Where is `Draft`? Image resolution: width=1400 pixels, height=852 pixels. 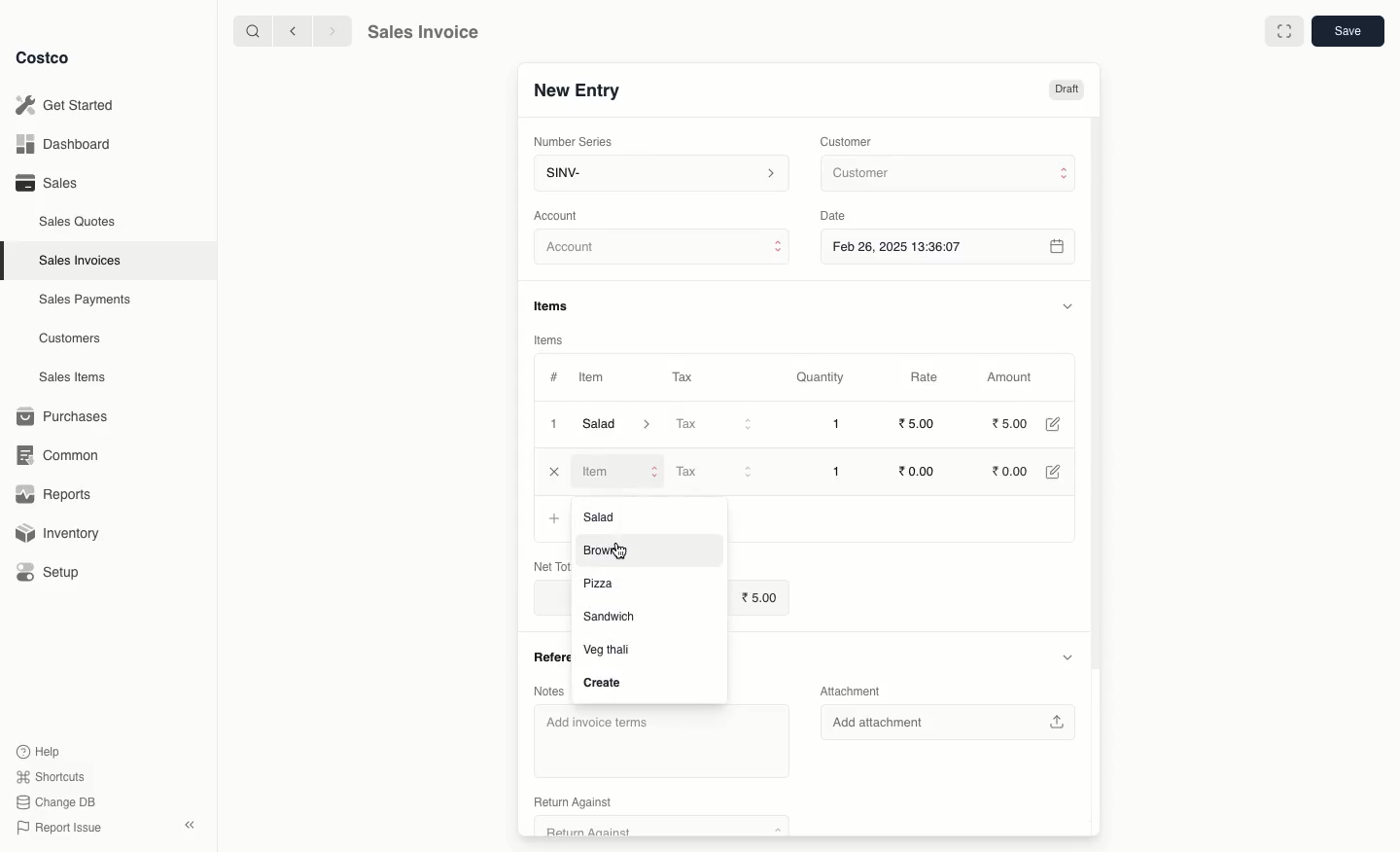 Draft is located at coordinates (1067, 90).